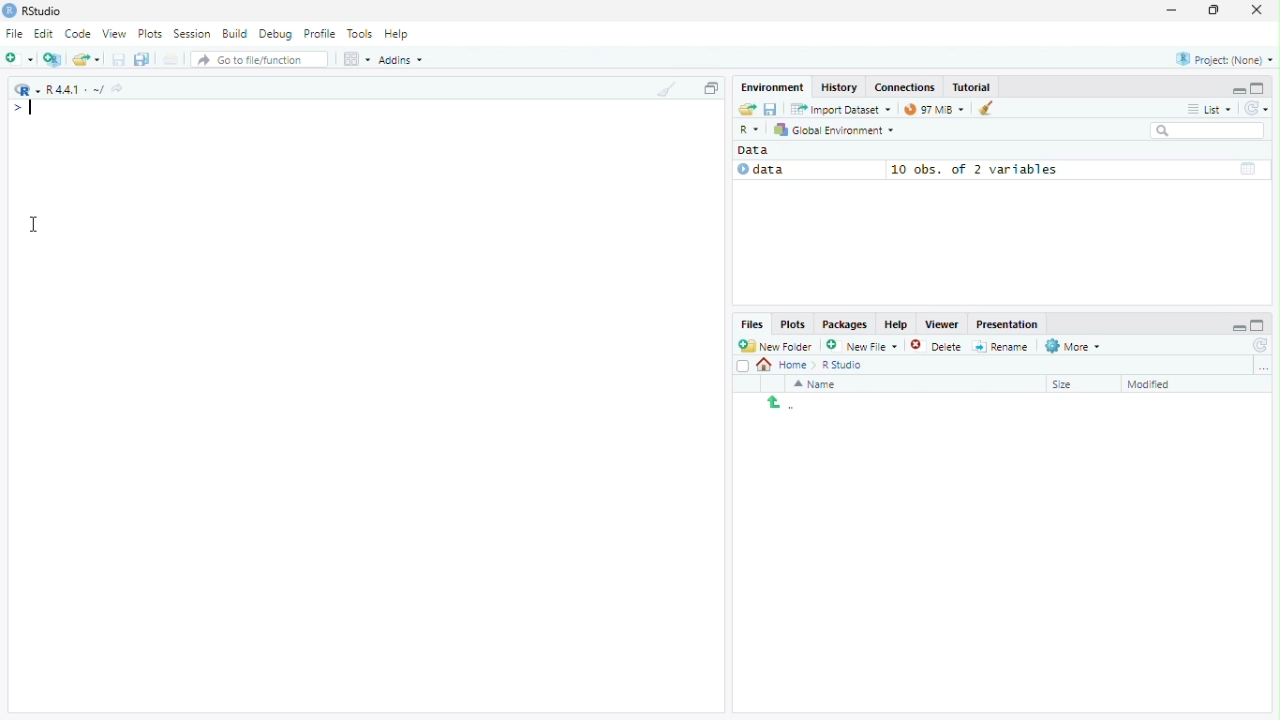 This screenshot has height=720, width=1280. What do you see at coordinates (837, 87) in the screenshot?
I see `History` at bounding box center [837, 87].